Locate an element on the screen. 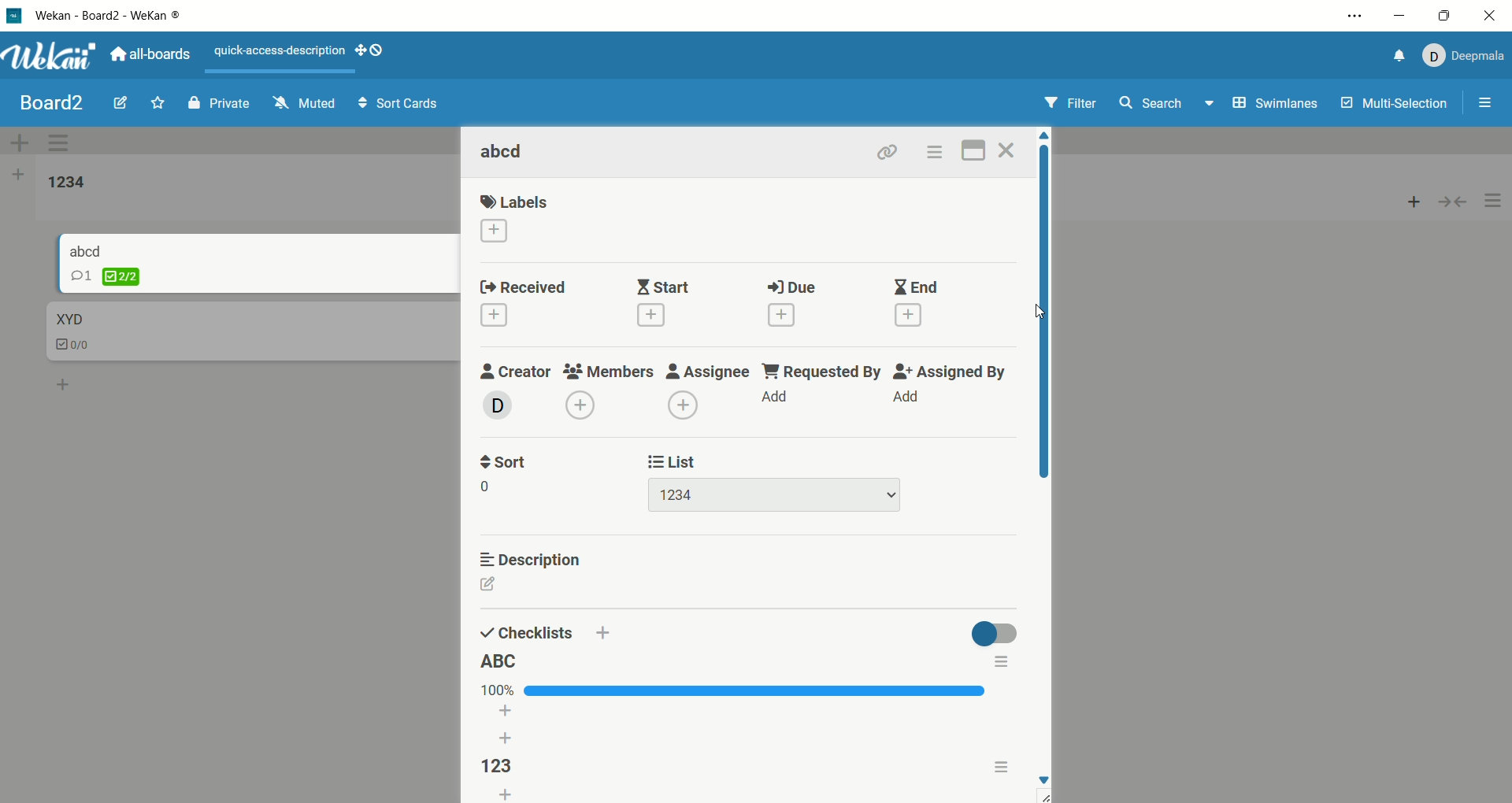  account is located at coordinates (1461, 56).